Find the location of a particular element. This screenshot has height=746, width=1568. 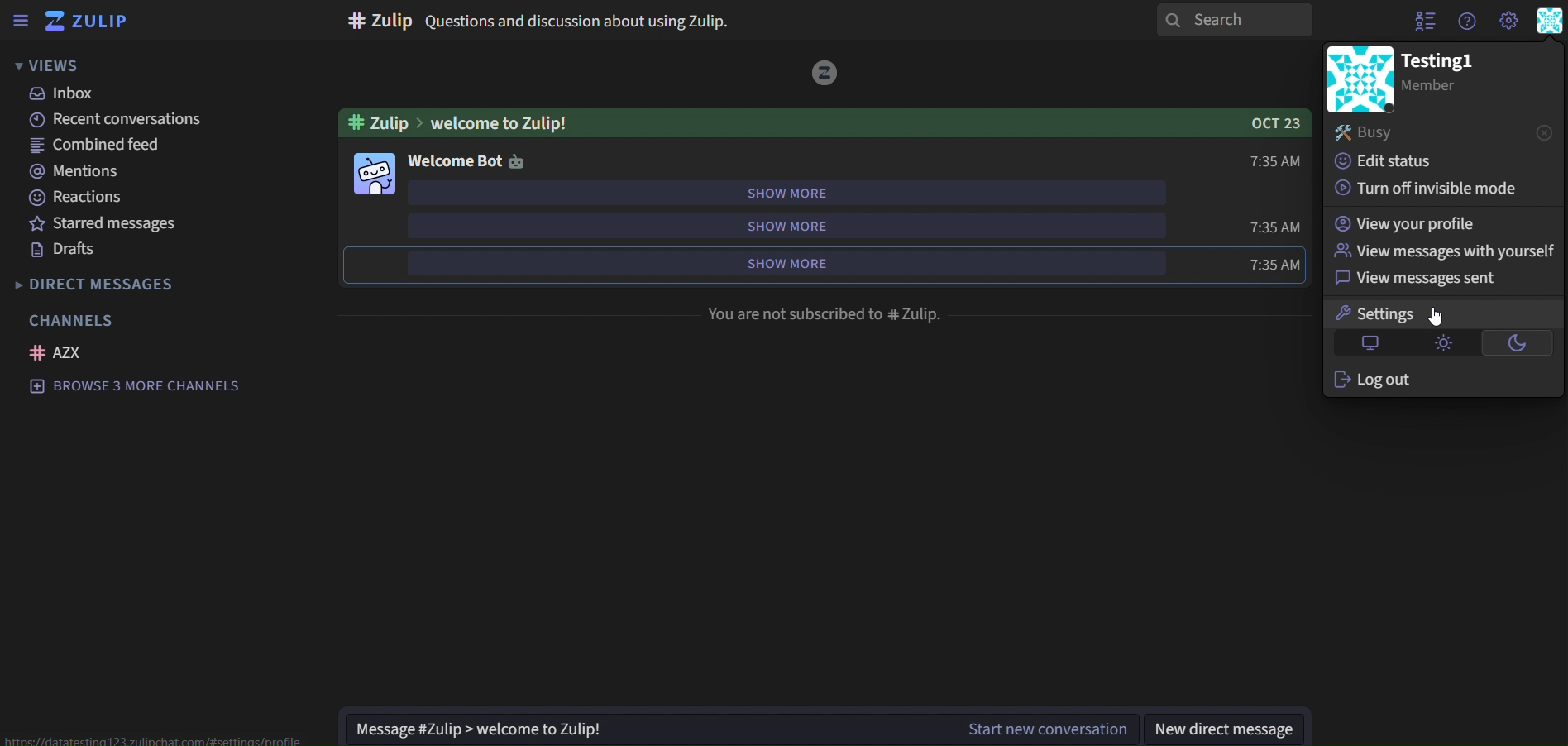

inbox is located at coordinates (80, 93).